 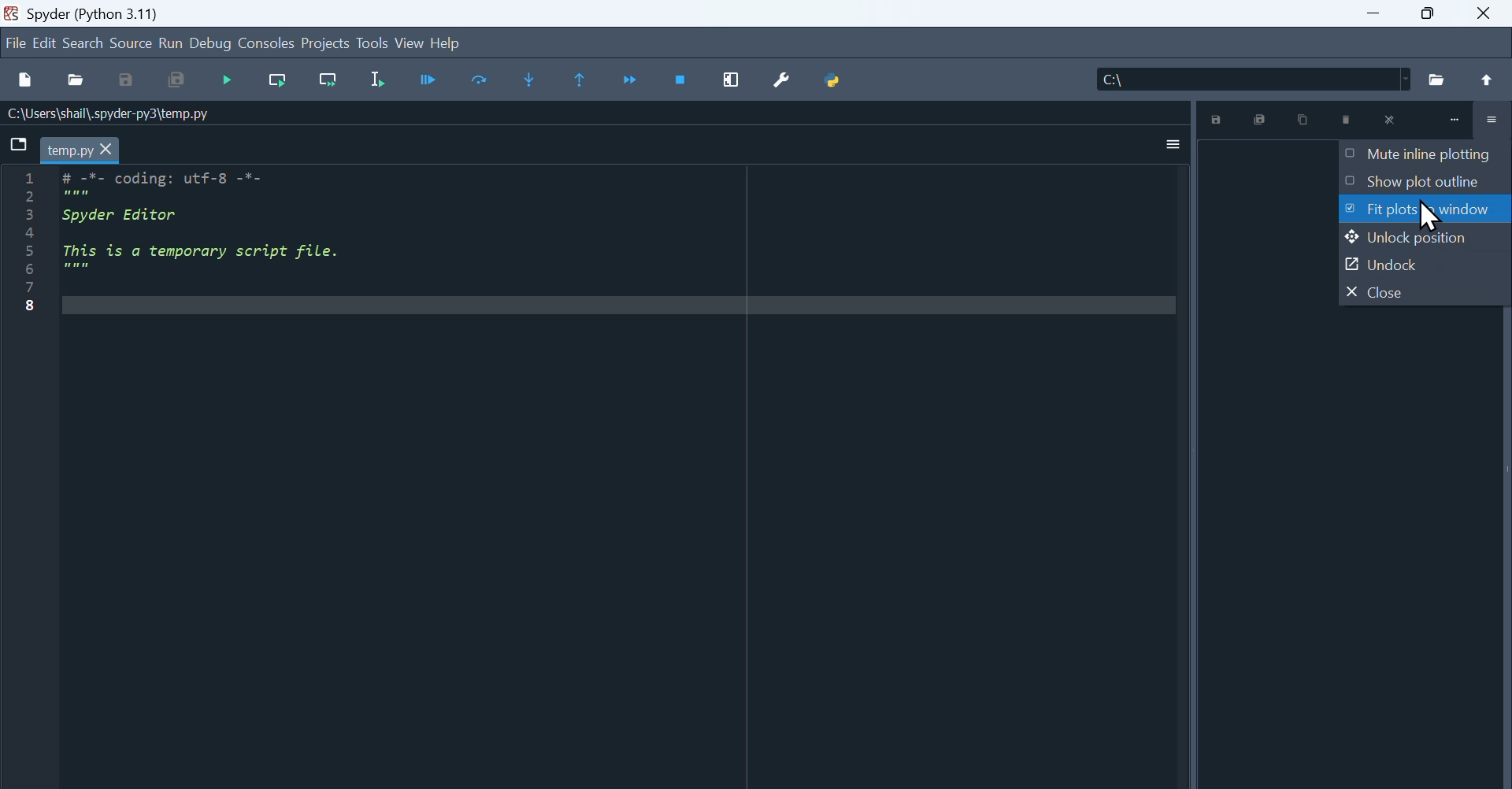 I want to click on New files, so click(x=22, y=81).